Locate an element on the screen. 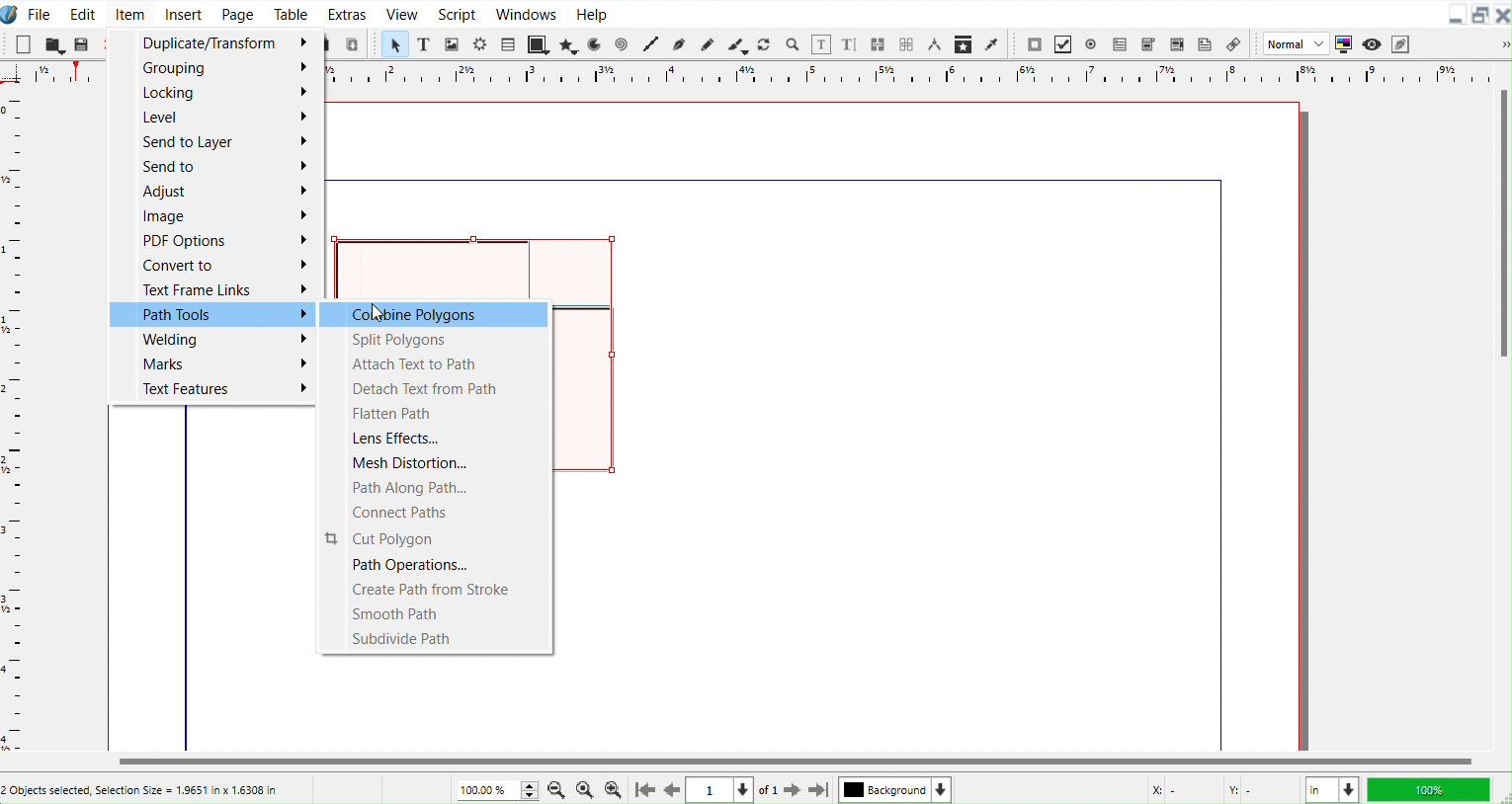 The width and height of the screenshot is (1512, 804). View is located at coordinates (400, 13).